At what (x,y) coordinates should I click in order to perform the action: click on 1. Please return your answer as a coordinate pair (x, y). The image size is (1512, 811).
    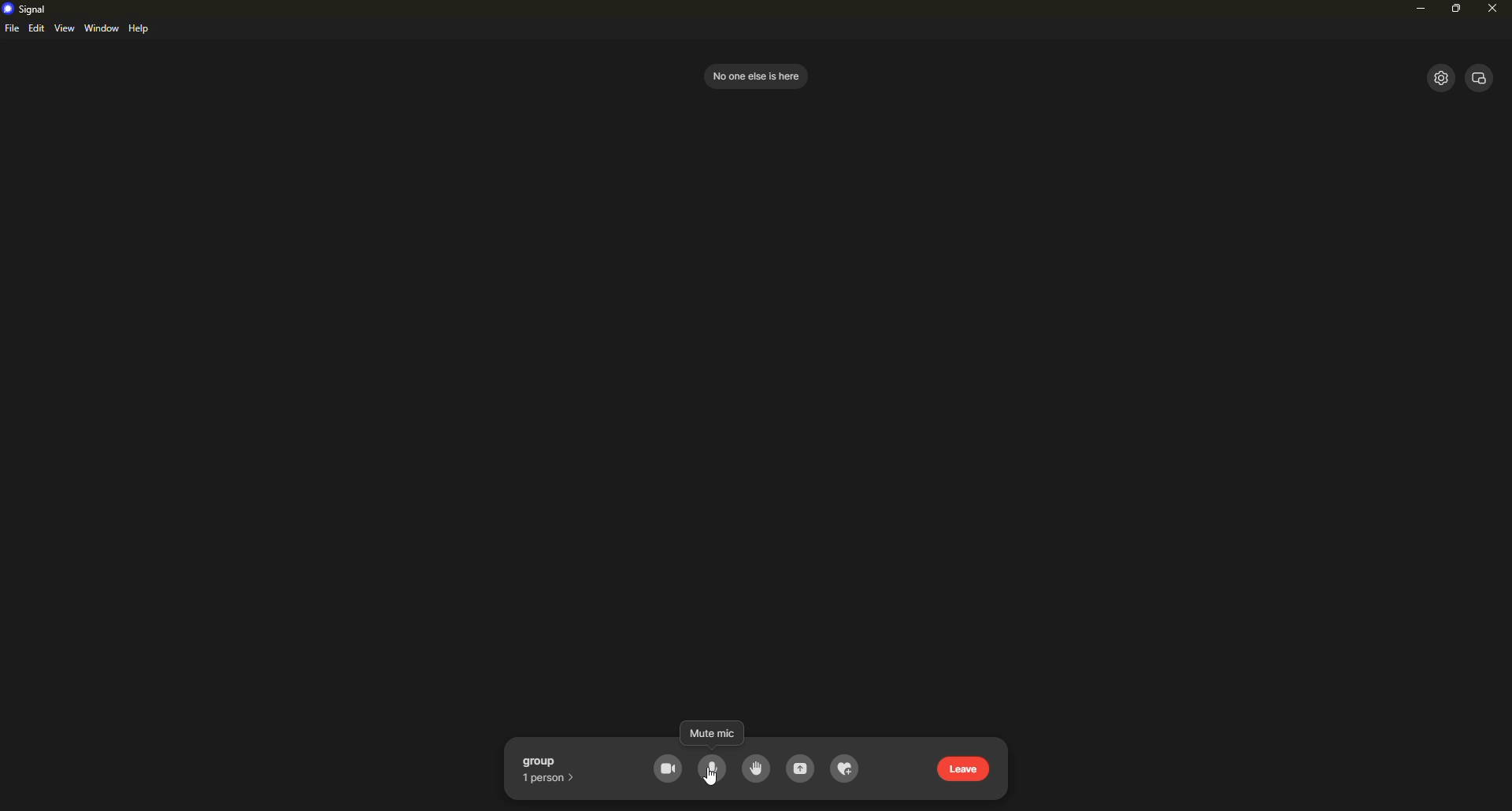
    Looking at the image, I should click on (551, 777).